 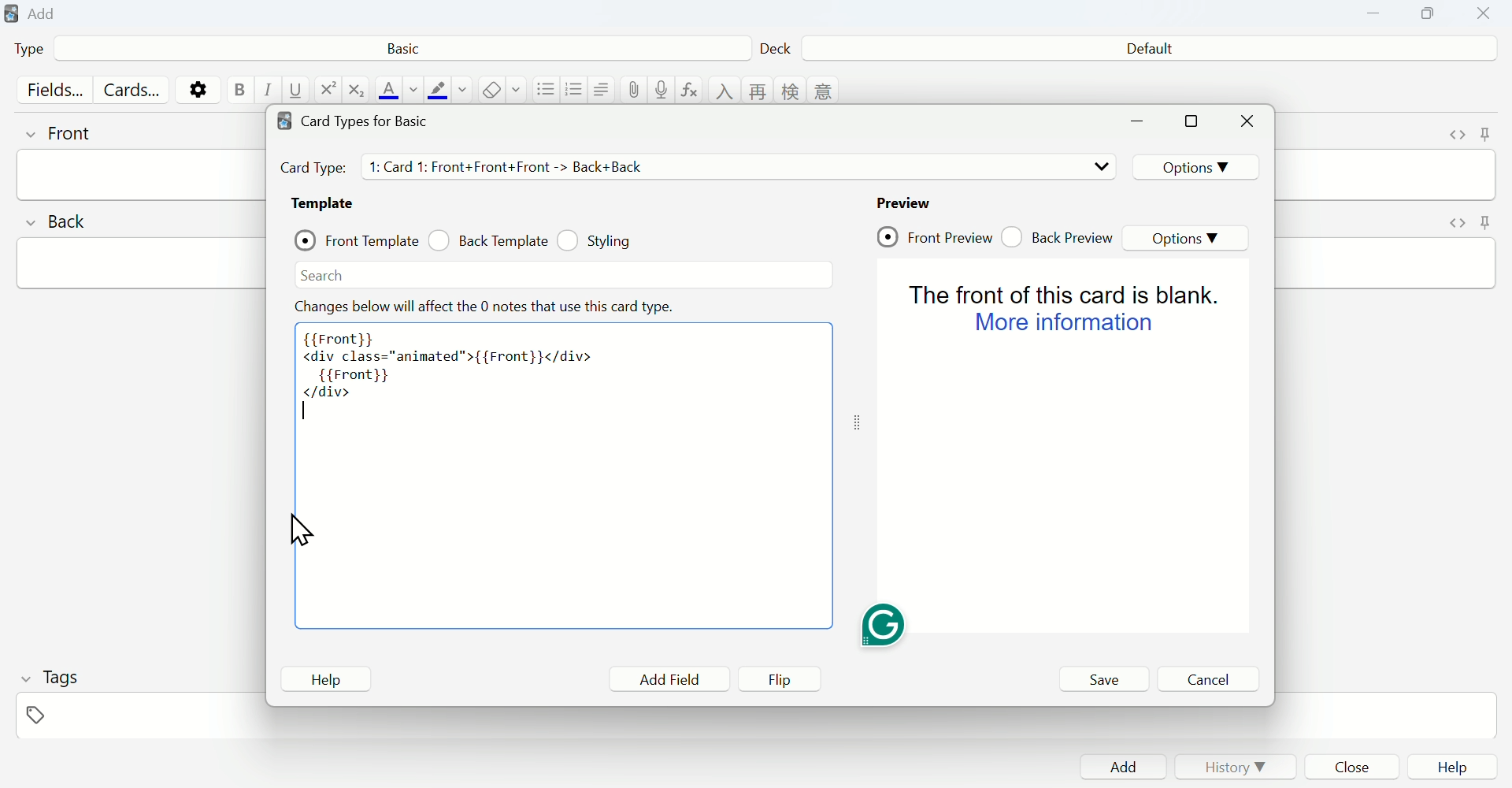 What do you see at coordinates (141, 174) in the screenshot?
I see `front input field` at bounding box center [141, 174].